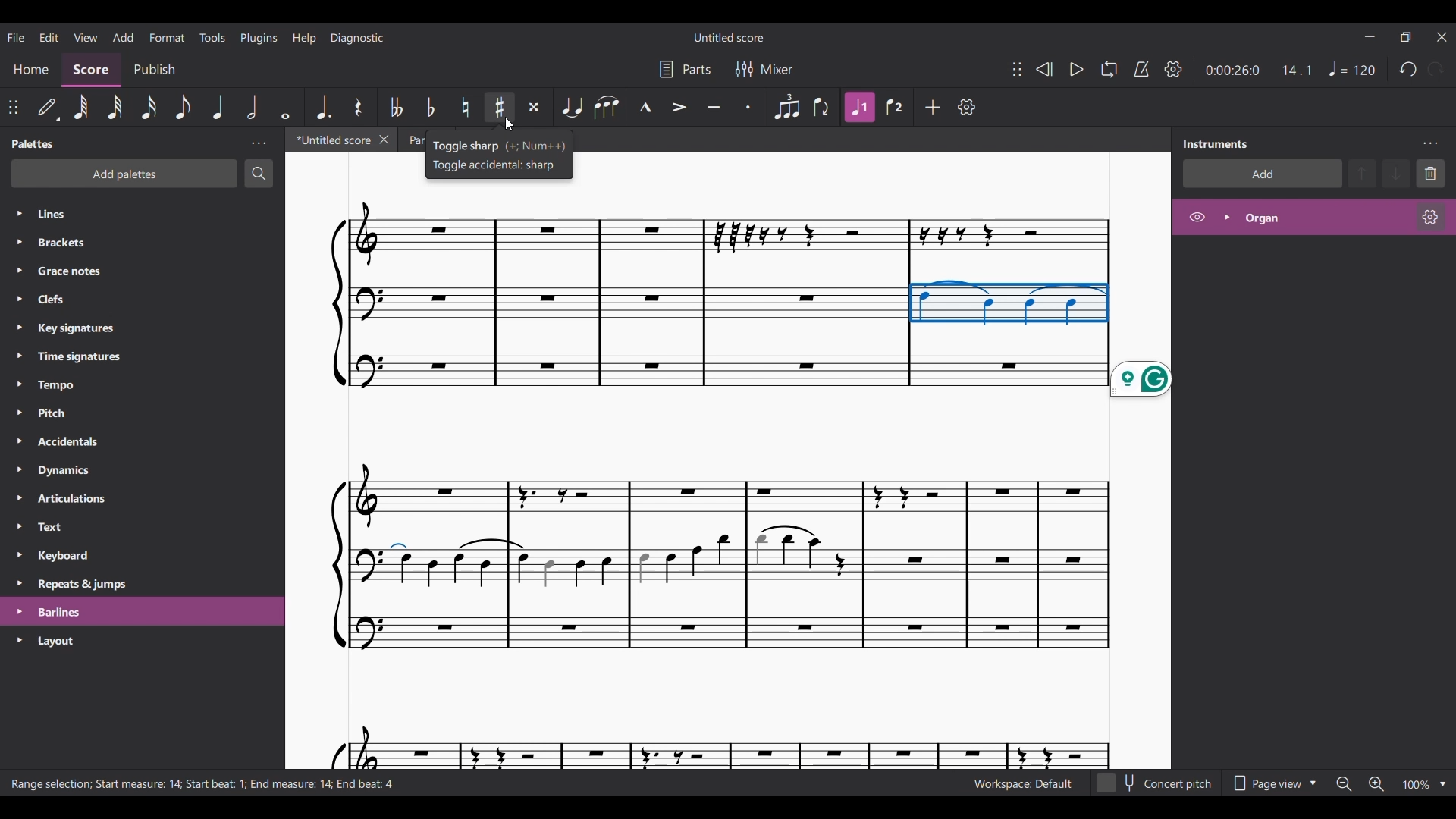  I want to click on File menu, so click(16, 36).